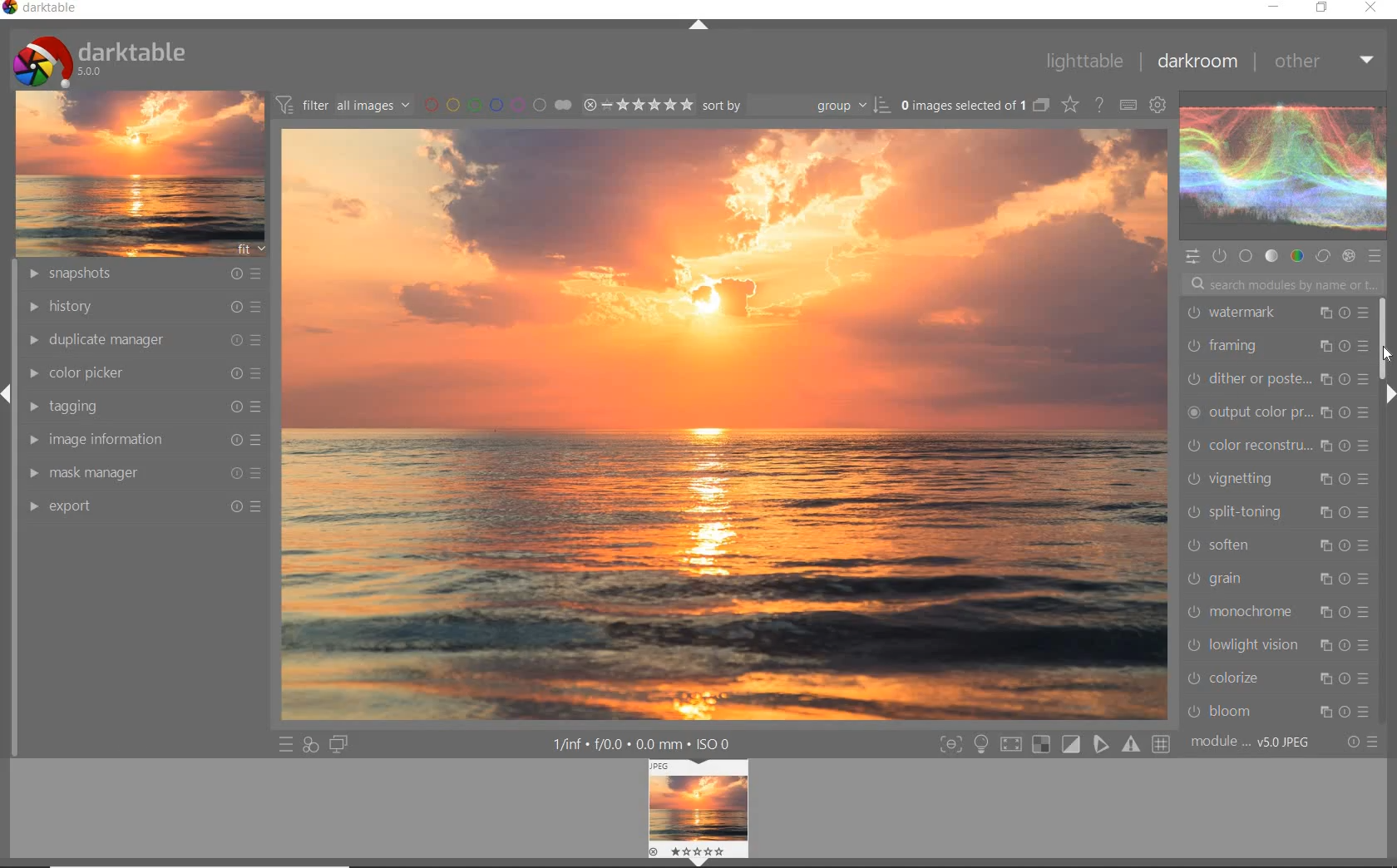 This screenshot has width=1397, height=868. Describe the element at coordinates (1278, 479) in the screenshot. I see `VIGNETTING` at that location.